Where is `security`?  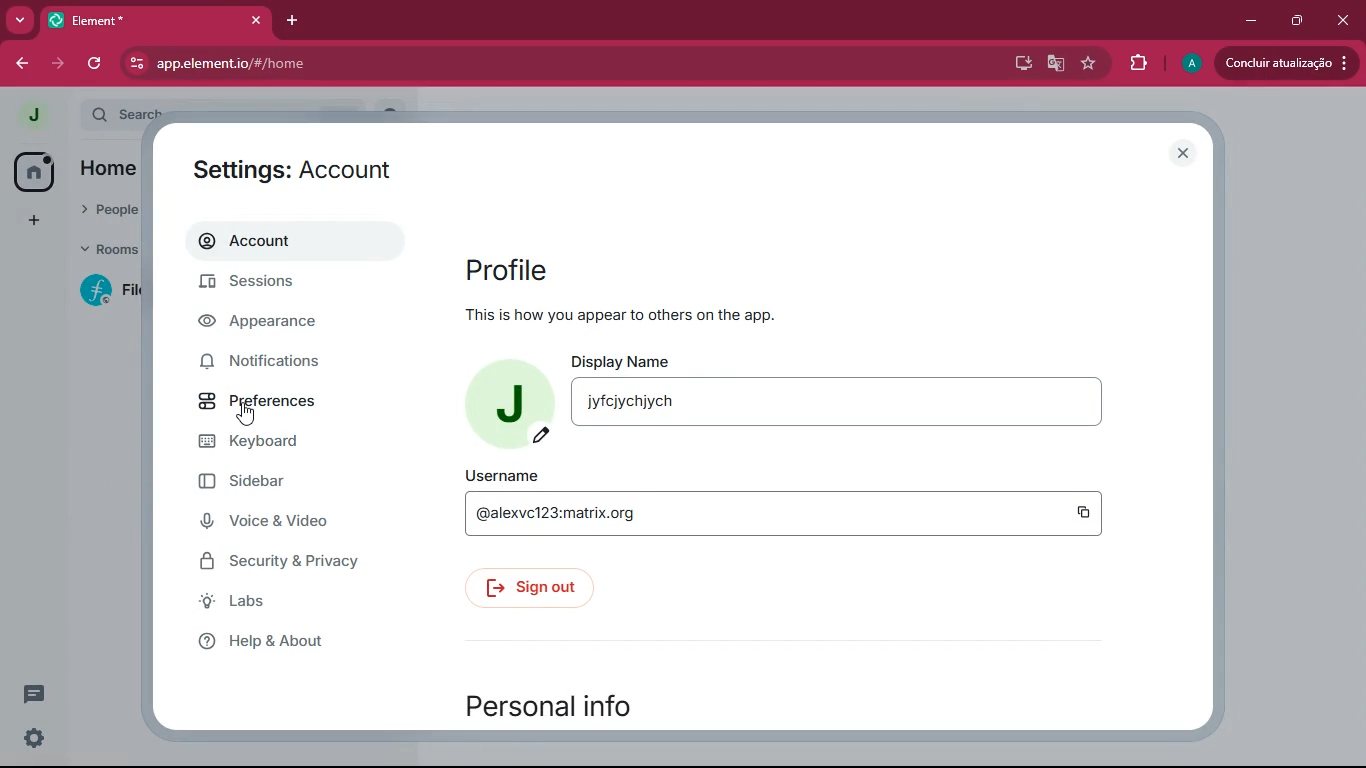
security is located at coordinates (296, 566).